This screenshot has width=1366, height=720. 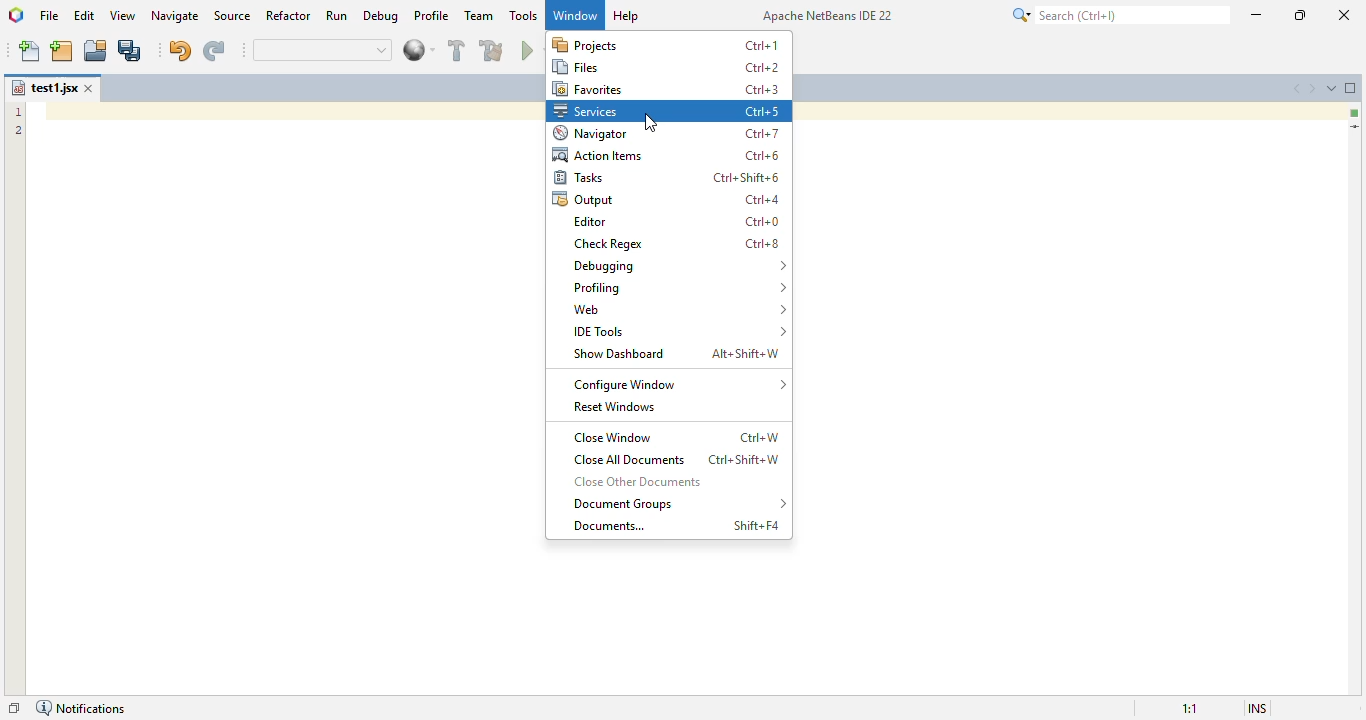 I want to click on build project, so click(x=456, y=50).